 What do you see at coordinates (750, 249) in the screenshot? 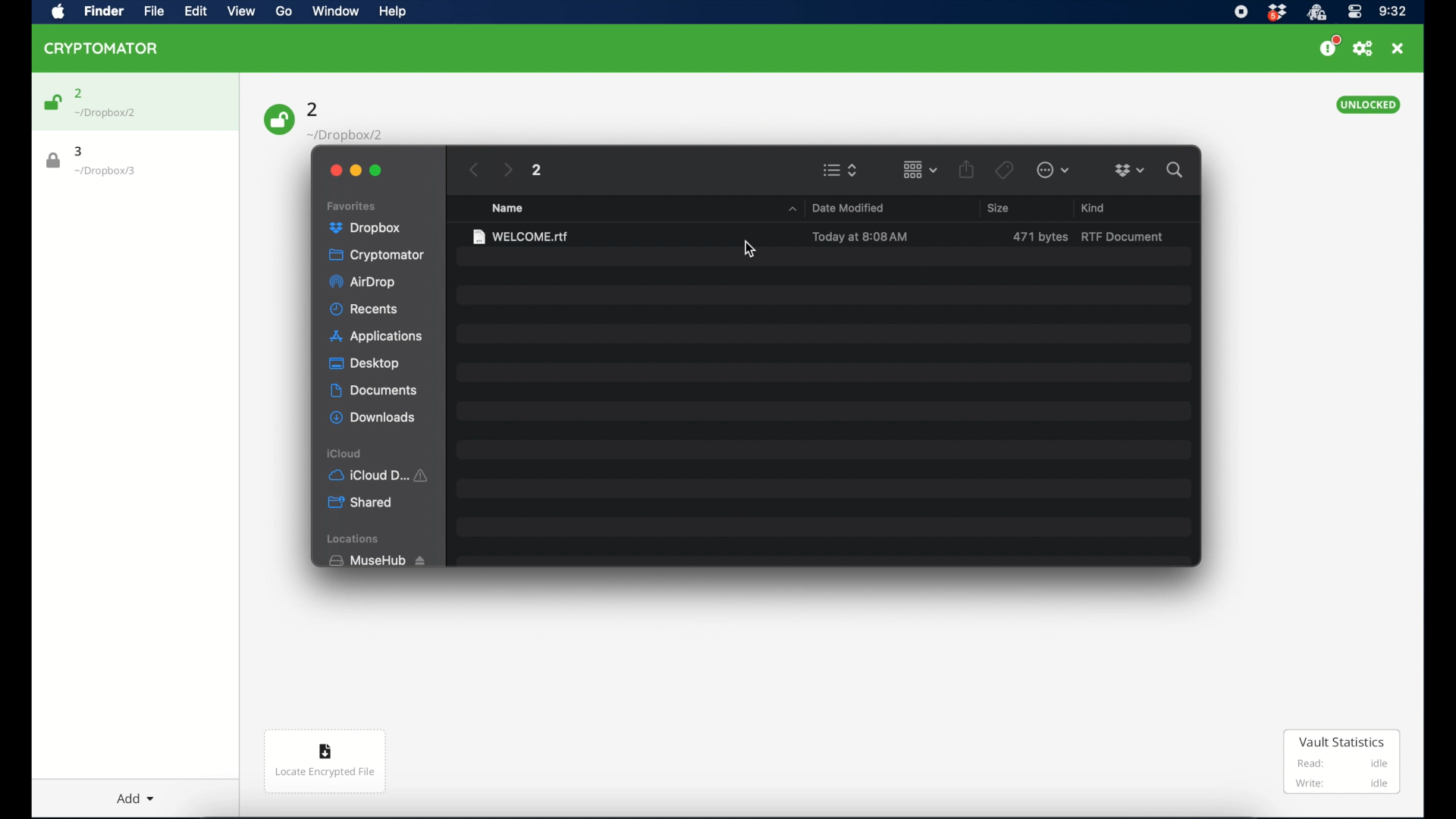
I see `cursor` at bounding box center [750, 249].